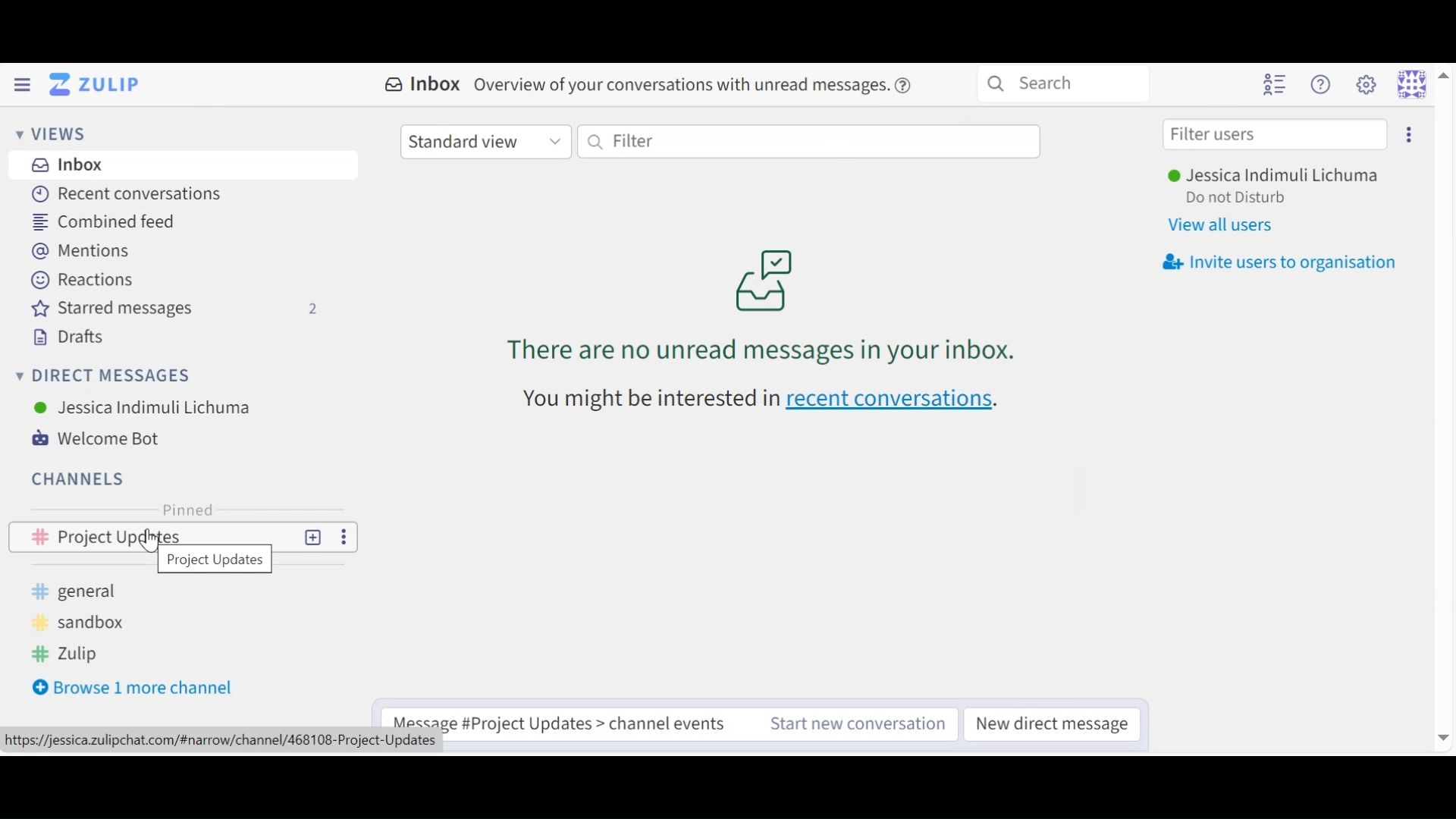  What do you see at coordinates (1441, 78) in the screenshot?
I see `Up` at bounding box center [1441, 78].